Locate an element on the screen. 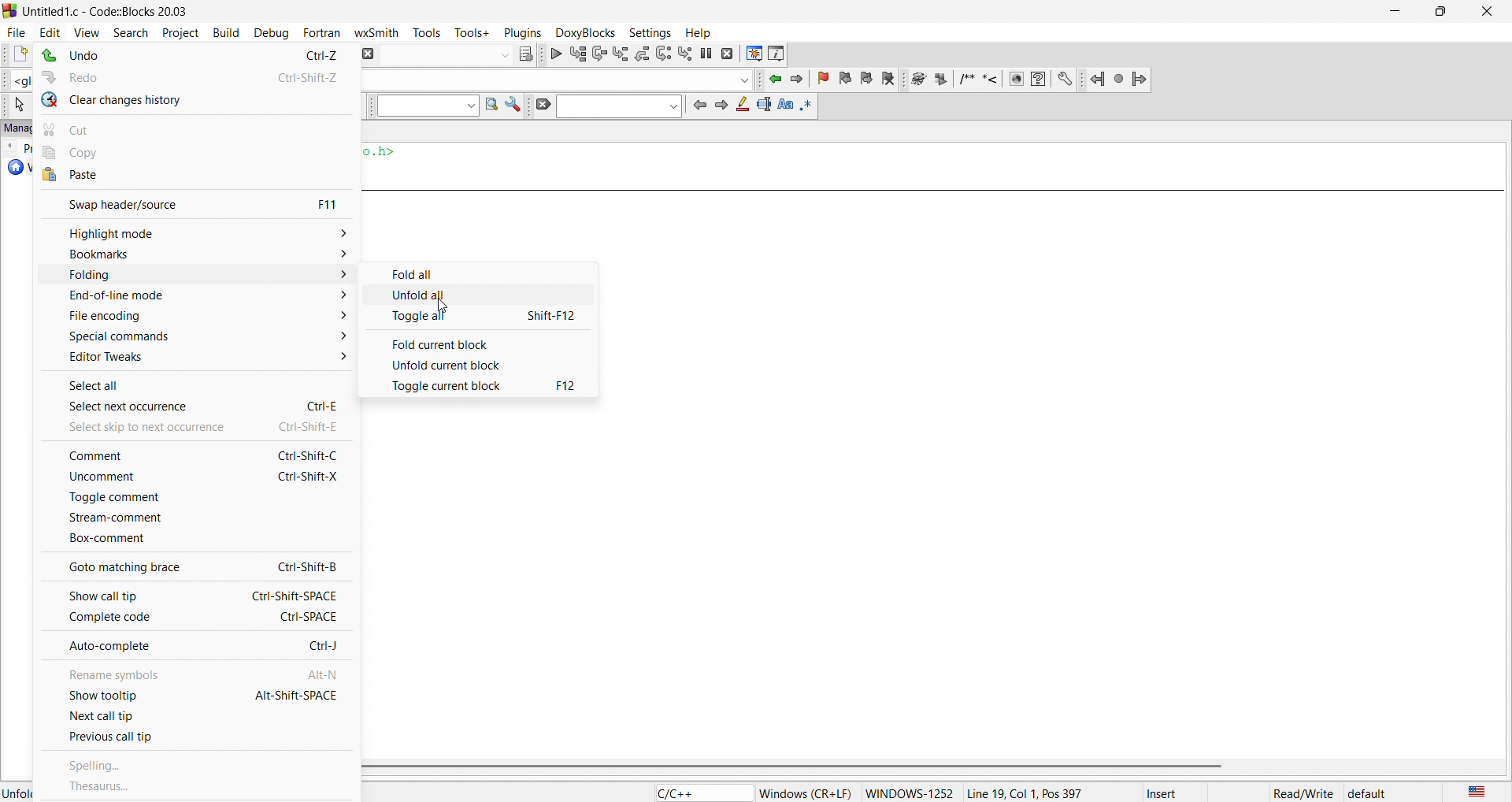 The height and width of the screenshot is (802, 1512). undo is located at coordinates (193, 56).